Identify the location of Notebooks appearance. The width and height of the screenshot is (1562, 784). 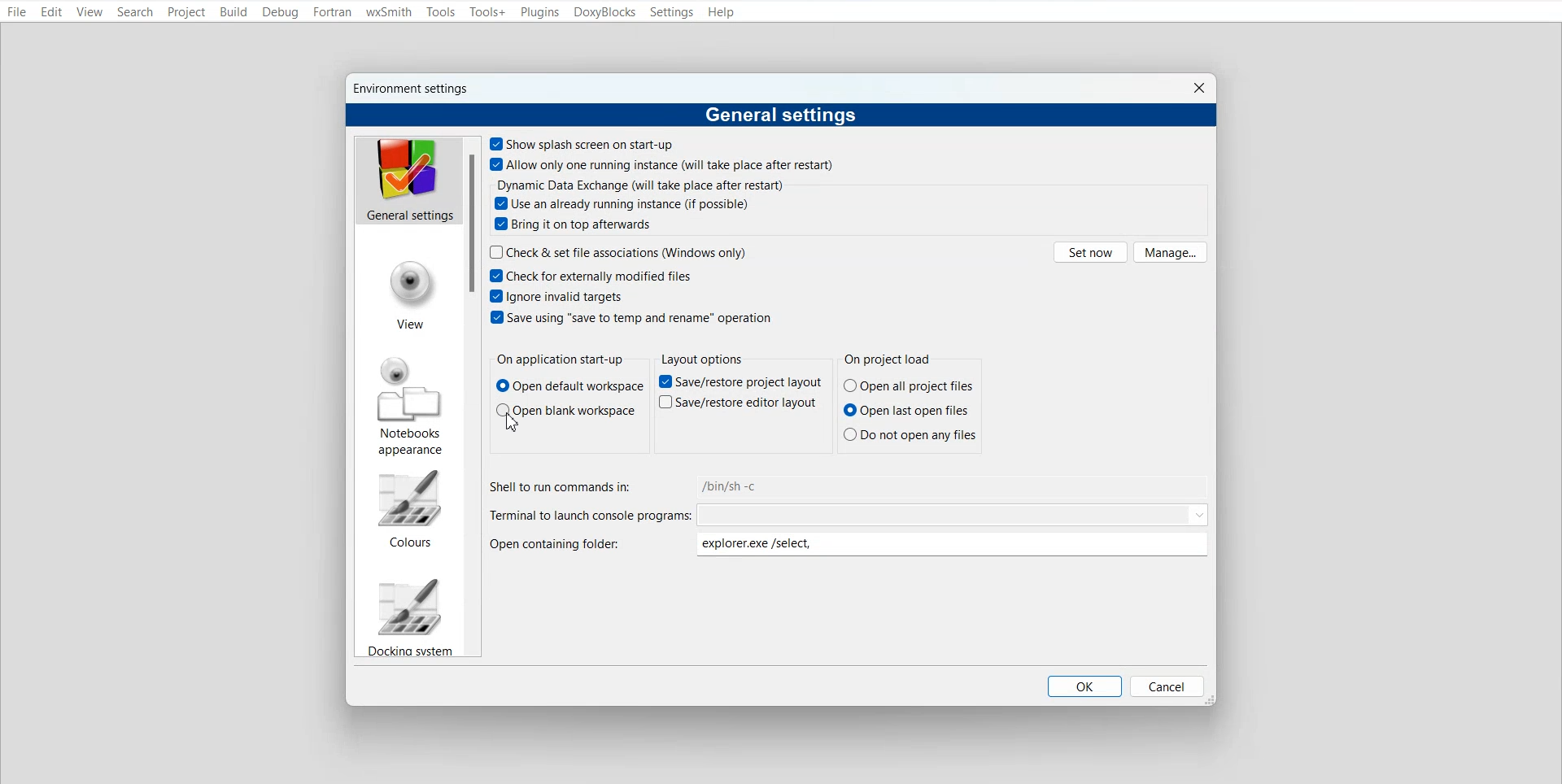
(411, 406).